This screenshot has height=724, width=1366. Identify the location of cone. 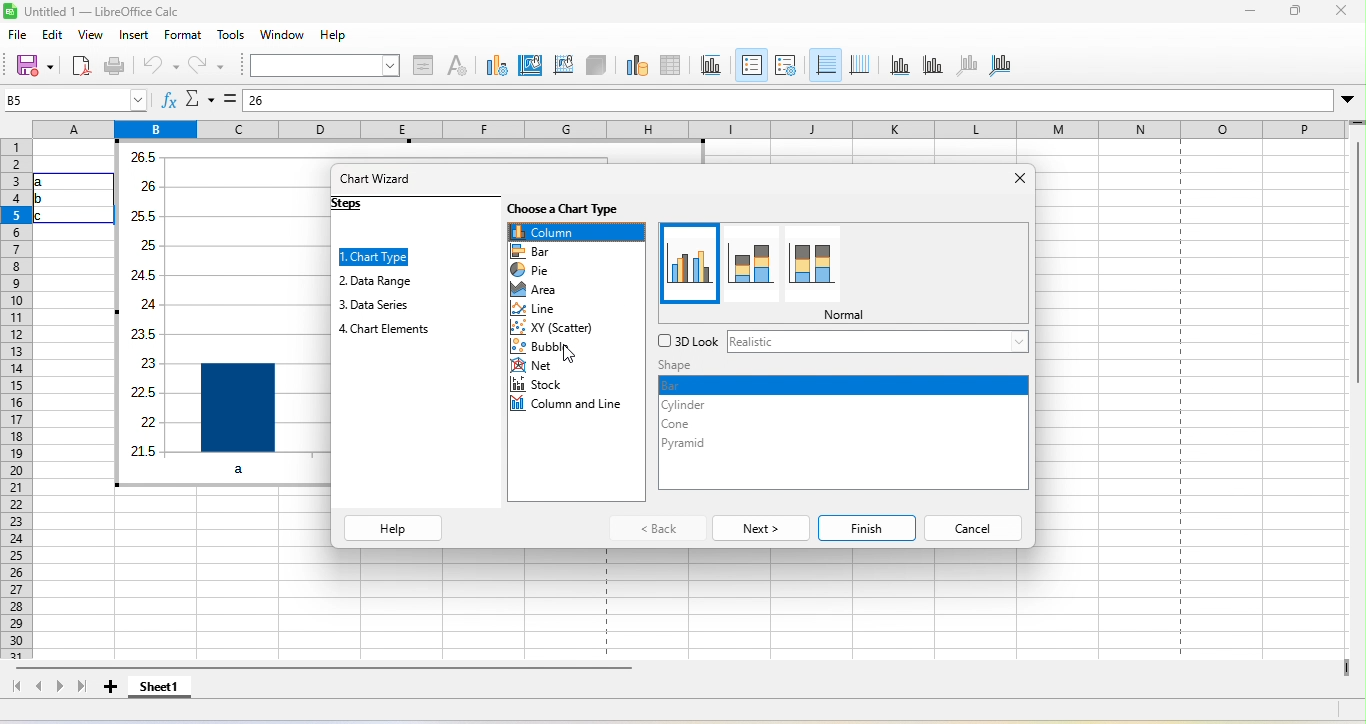
(678, 426).